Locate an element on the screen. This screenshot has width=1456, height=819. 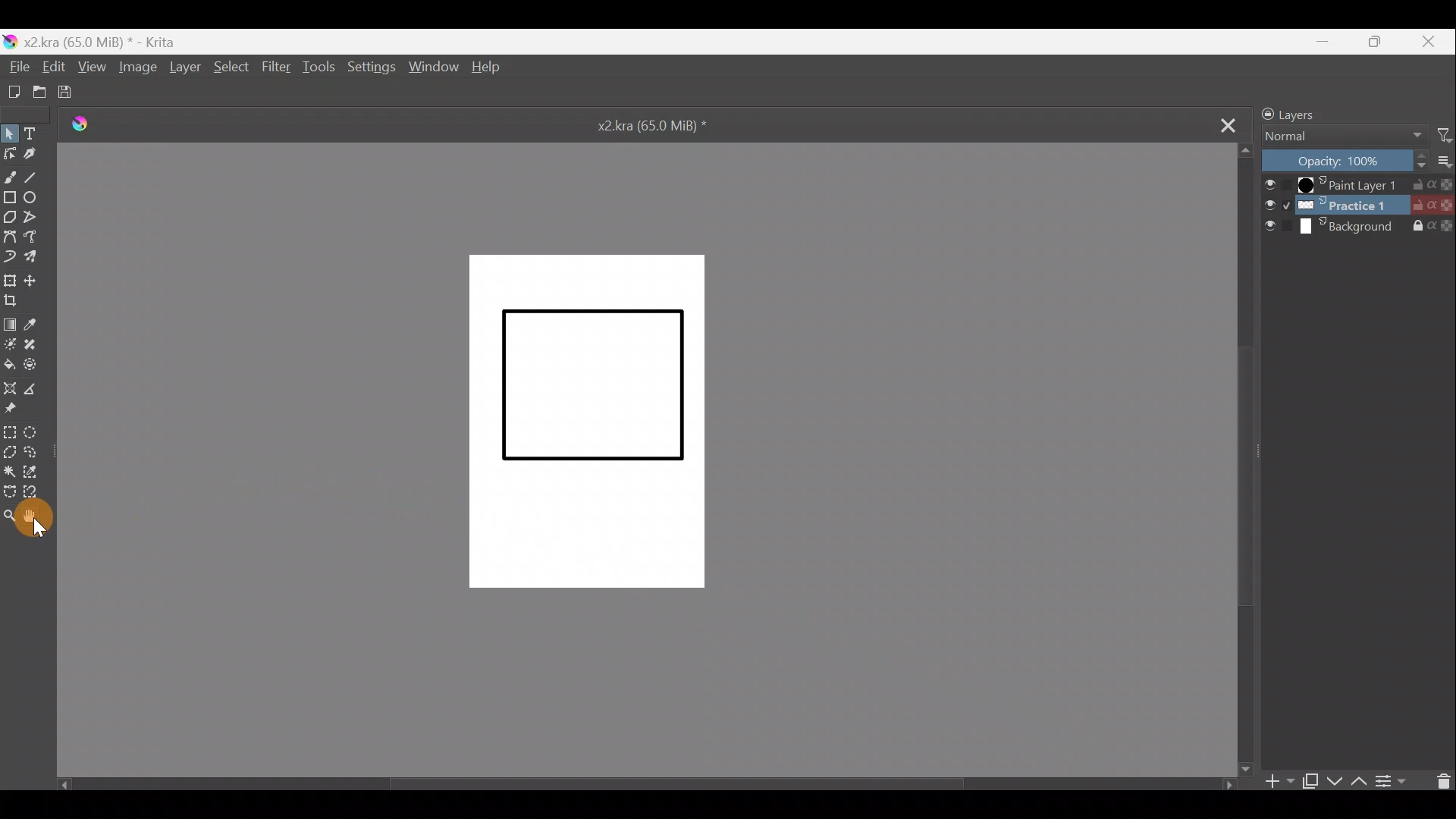
Freehand selection tool is located at coordinates (33, 454).